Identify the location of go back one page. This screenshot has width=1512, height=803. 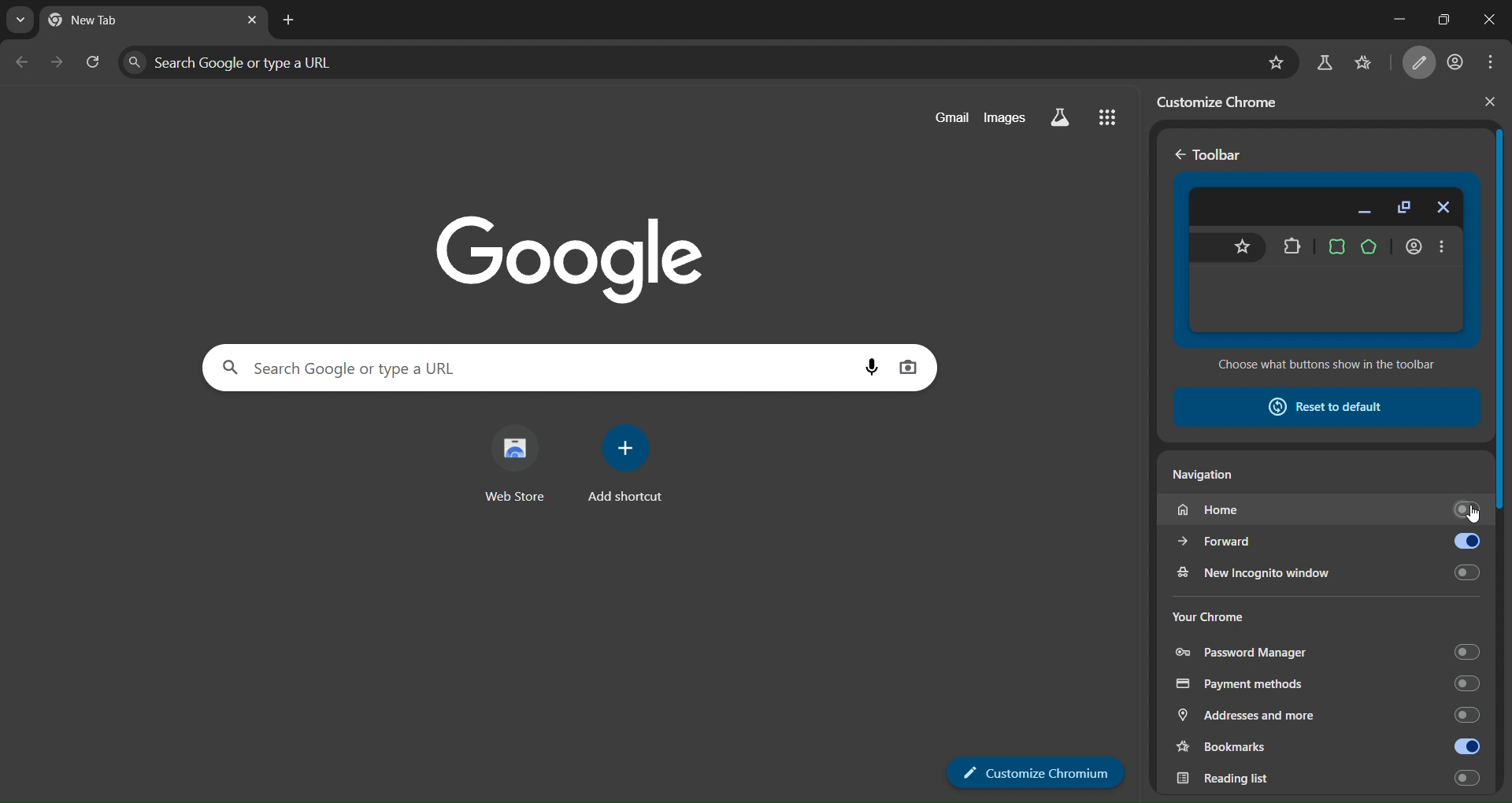
(24, 65).